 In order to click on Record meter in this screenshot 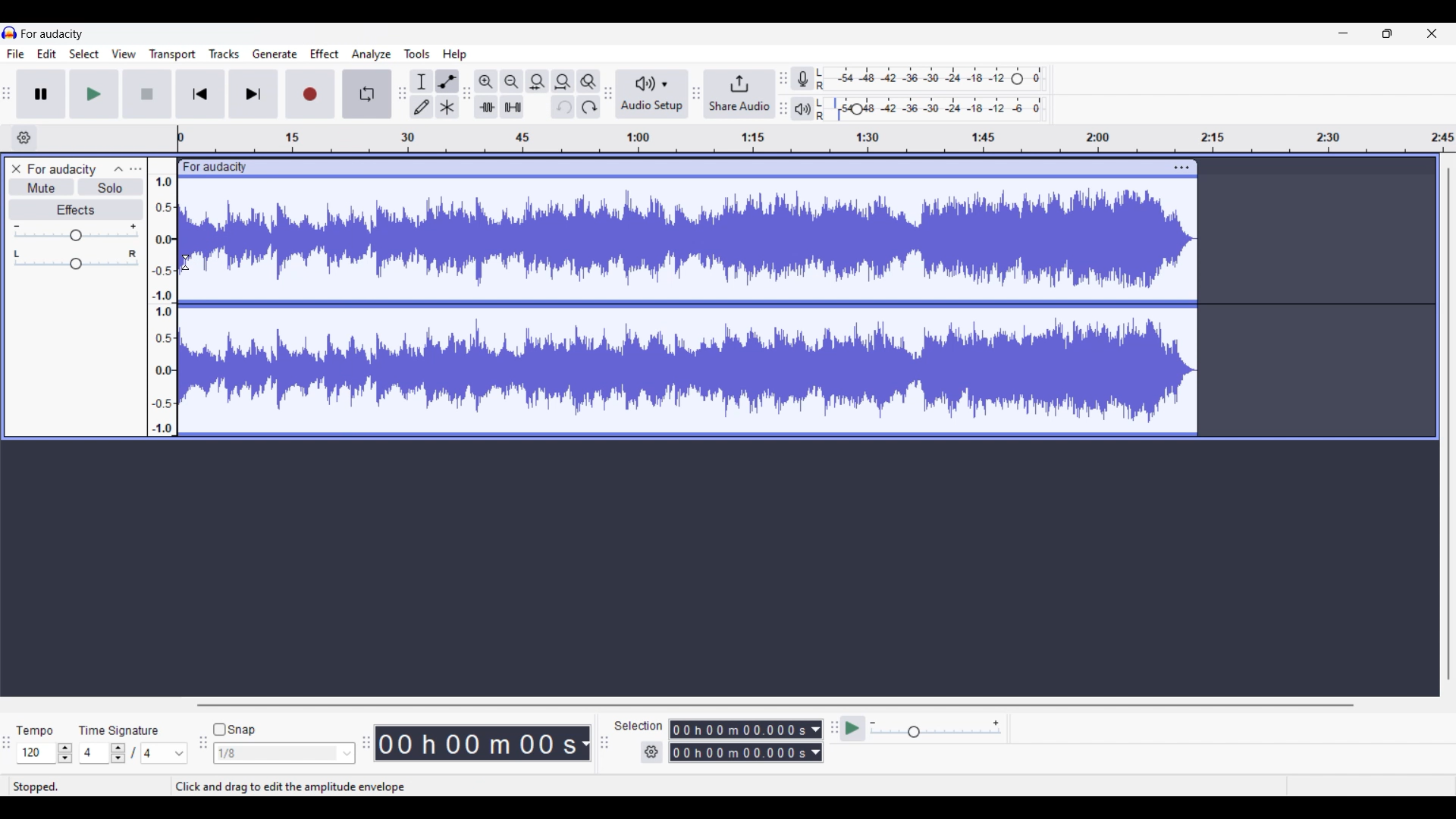, I will do `click(801, 78)`.